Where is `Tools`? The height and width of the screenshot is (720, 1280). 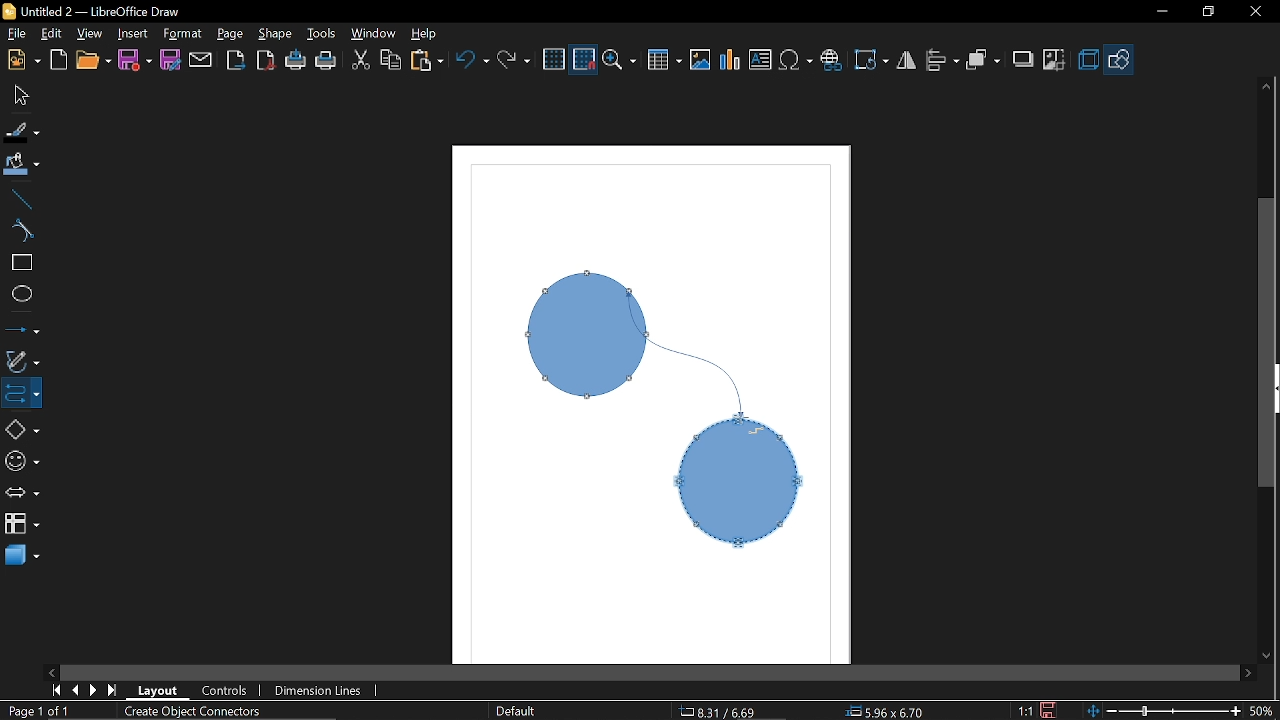
Tools is located at coordinates (323, 35).